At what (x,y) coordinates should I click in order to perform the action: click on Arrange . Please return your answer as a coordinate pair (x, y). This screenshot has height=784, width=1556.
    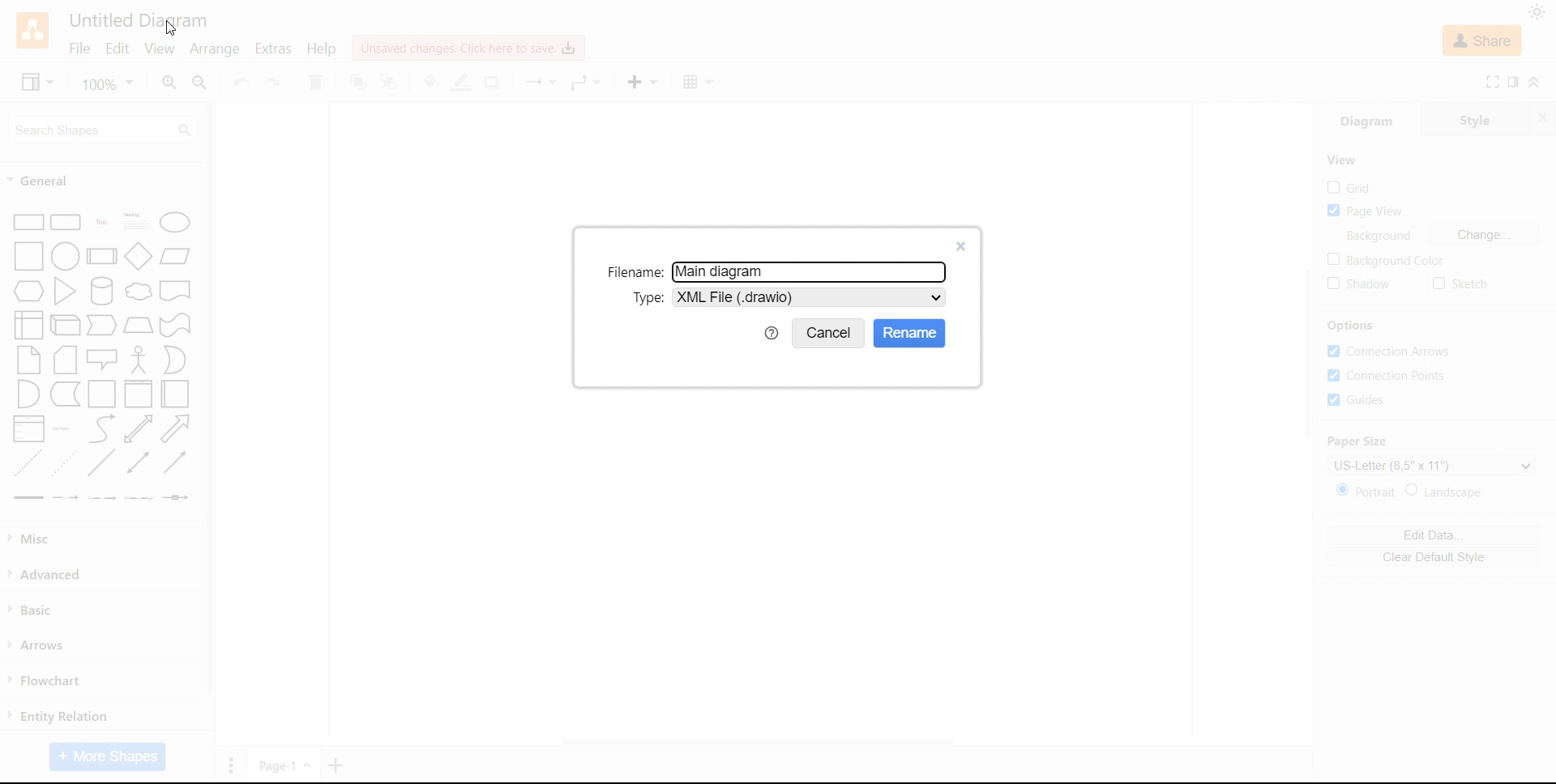
    Looking at the image, I should click on (214, 49).